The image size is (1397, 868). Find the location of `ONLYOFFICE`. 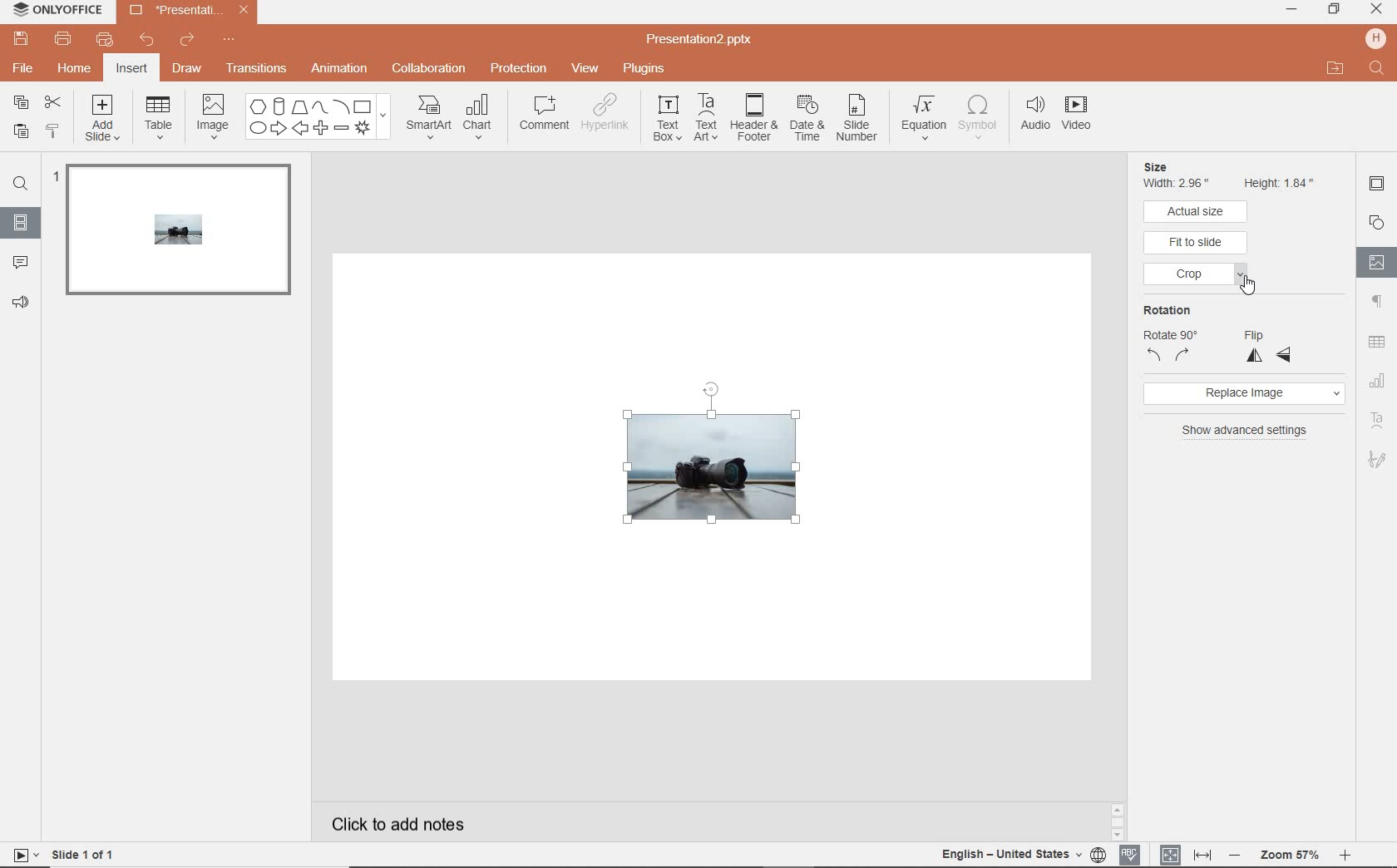

ONLYOFFICE is located at coordinates (57, 12).